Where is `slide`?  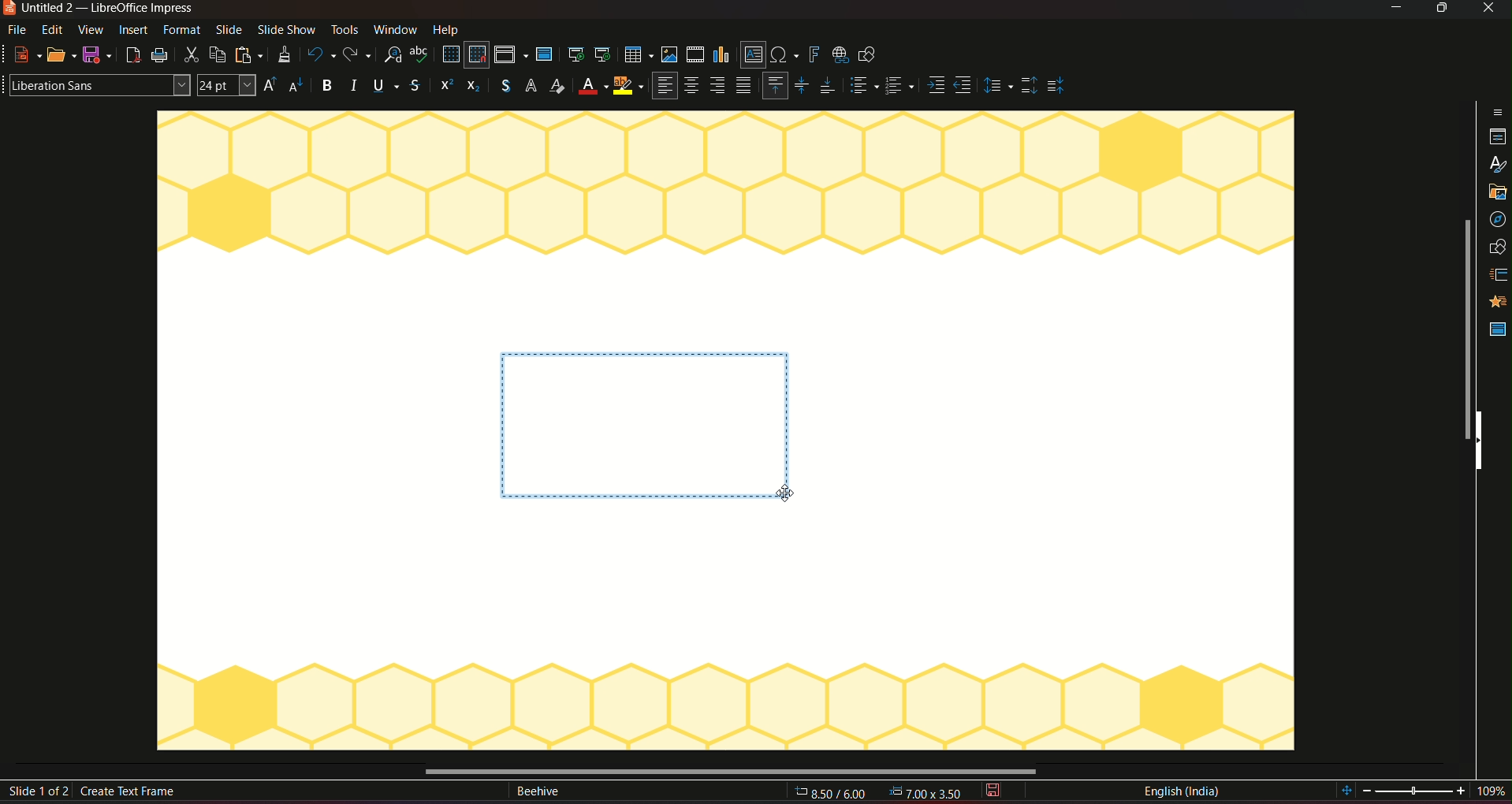
slide is located at coordinates (228, 31).